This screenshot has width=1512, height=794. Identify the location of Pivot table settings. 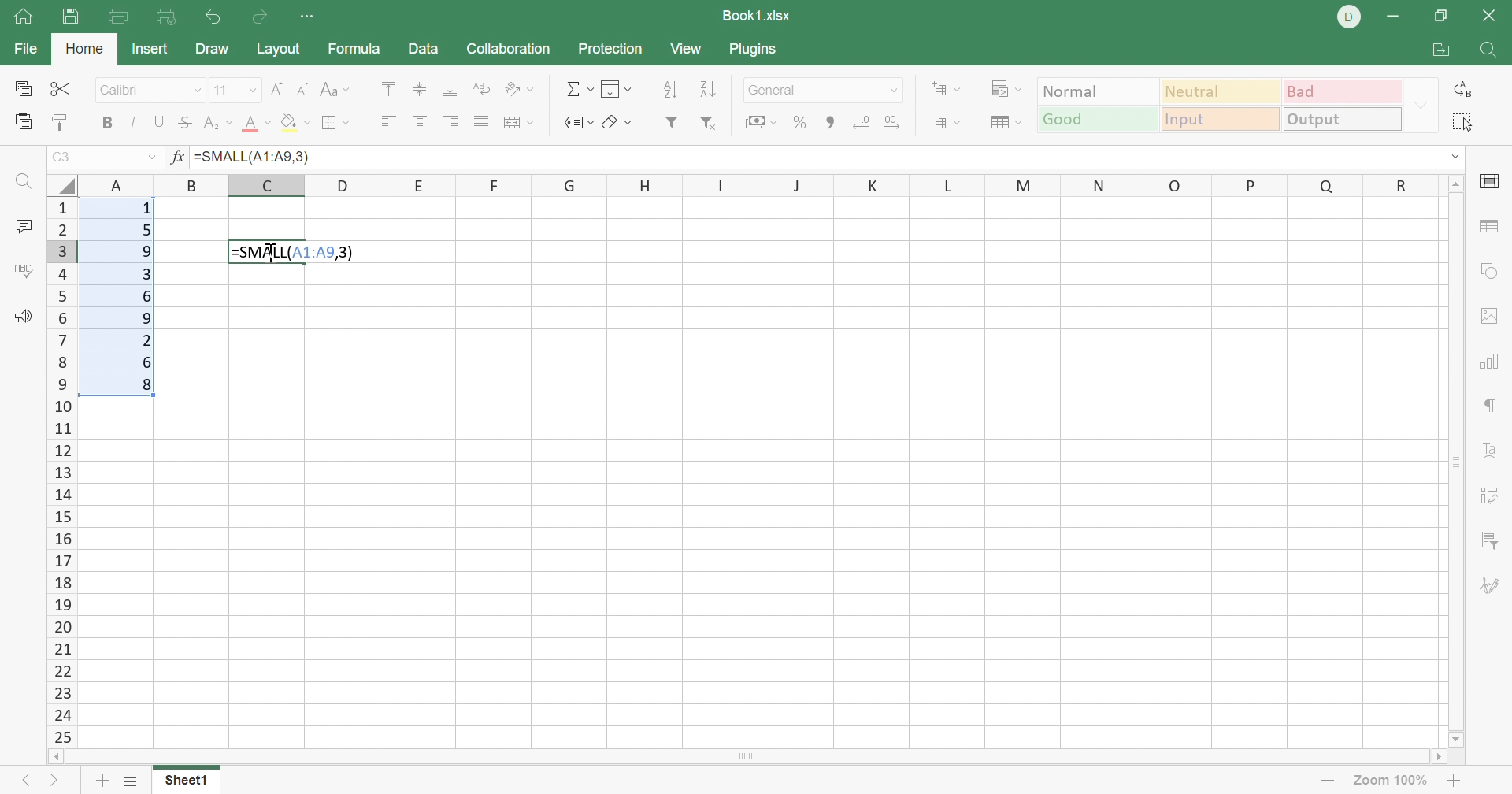
(1492, 497).